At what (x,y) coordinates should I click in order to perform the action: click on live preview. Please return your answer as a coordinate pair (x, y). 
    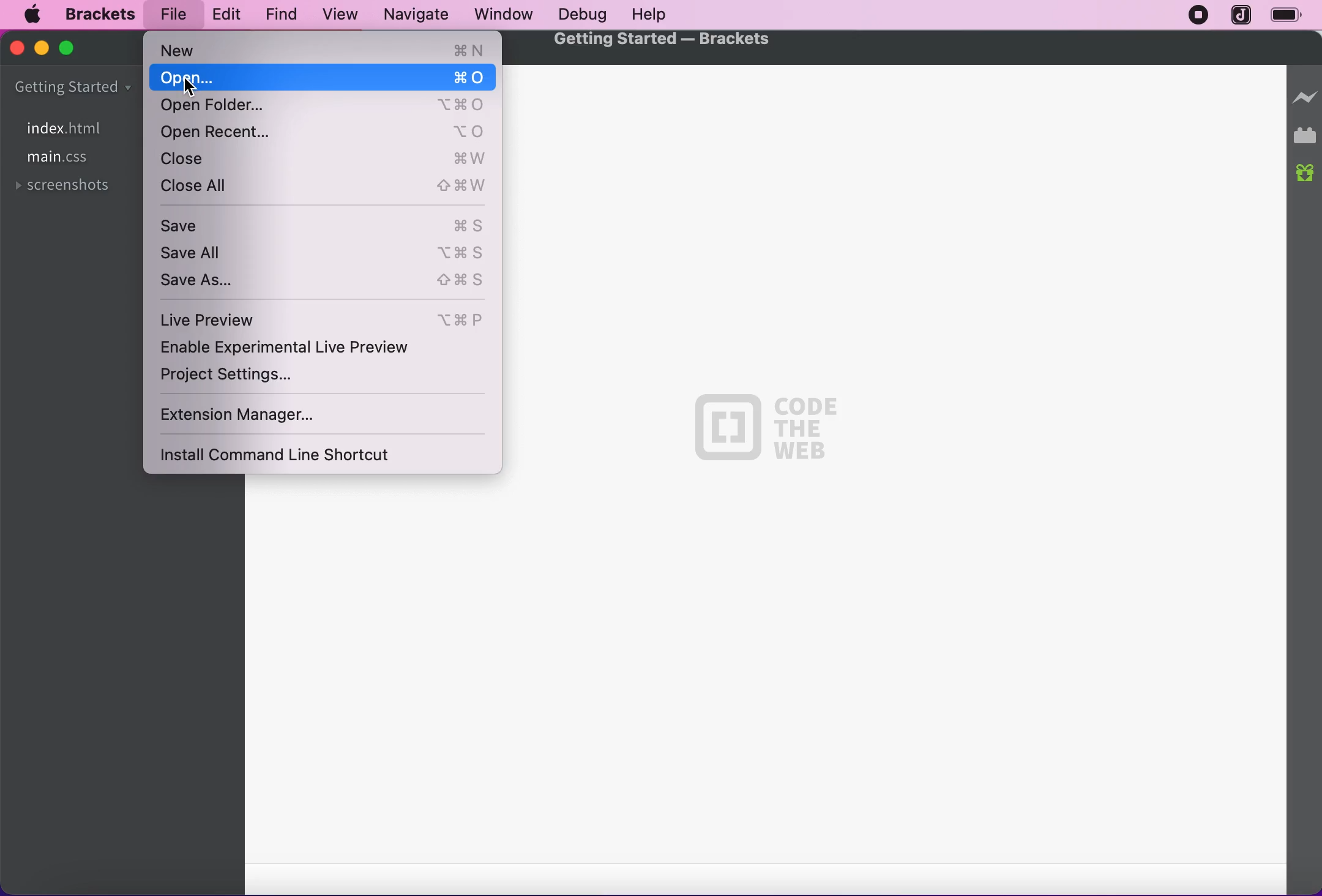
    Looking at the image, I should click on (325, 318).